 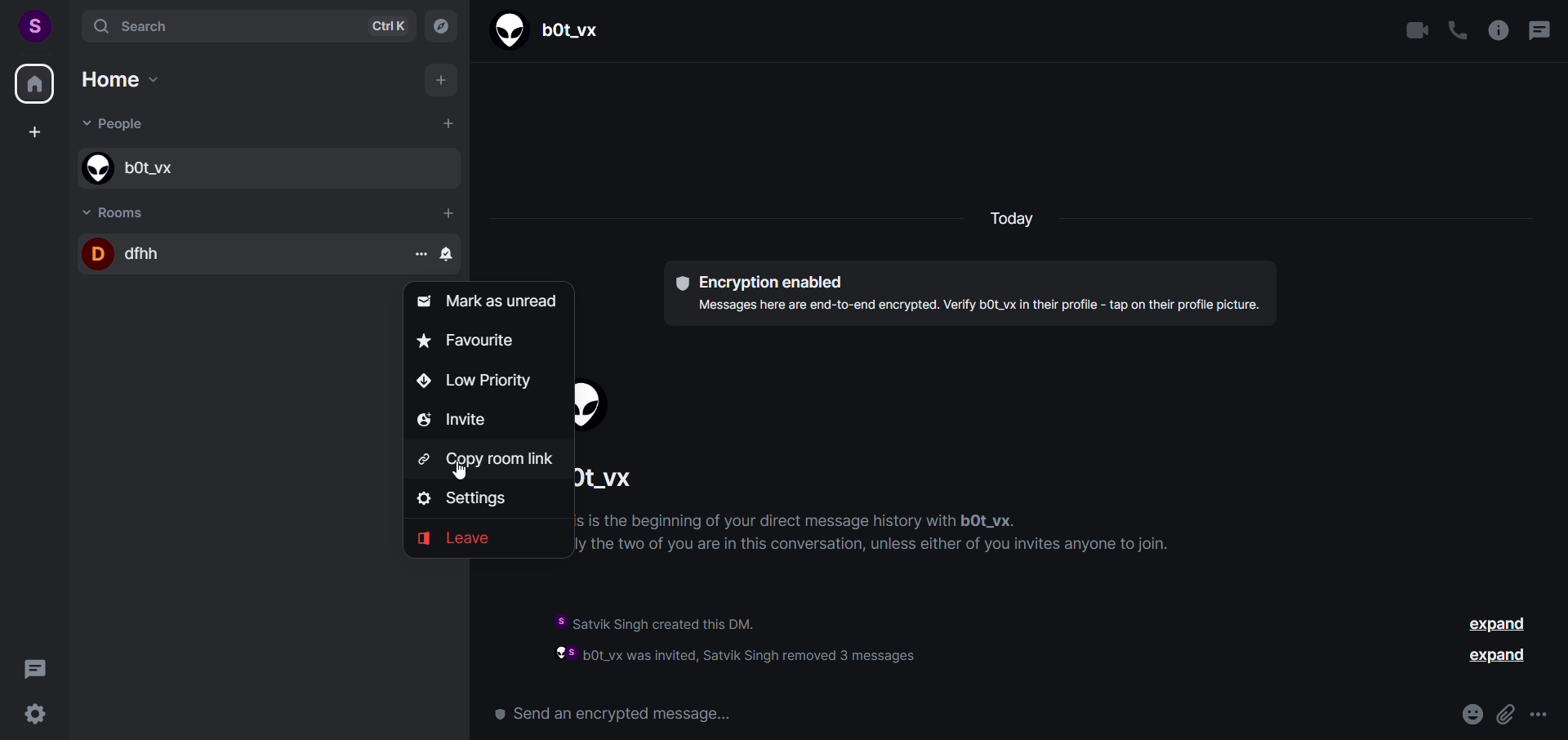 What do you see at coordinates (232, 254) in the screenshot?
I see `room name` at bounding box center [232, 254].